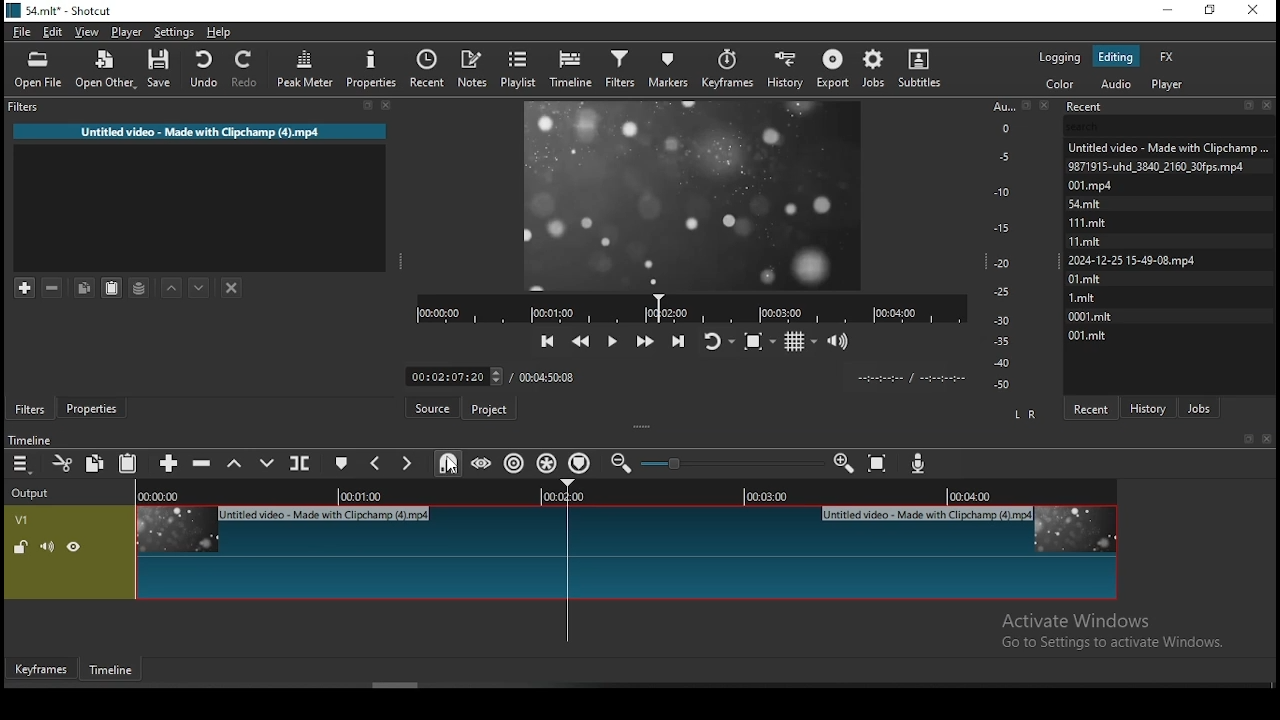  Describe the element at coordinates (924, 69) in the screenshot. I see `subtitles` at that location.